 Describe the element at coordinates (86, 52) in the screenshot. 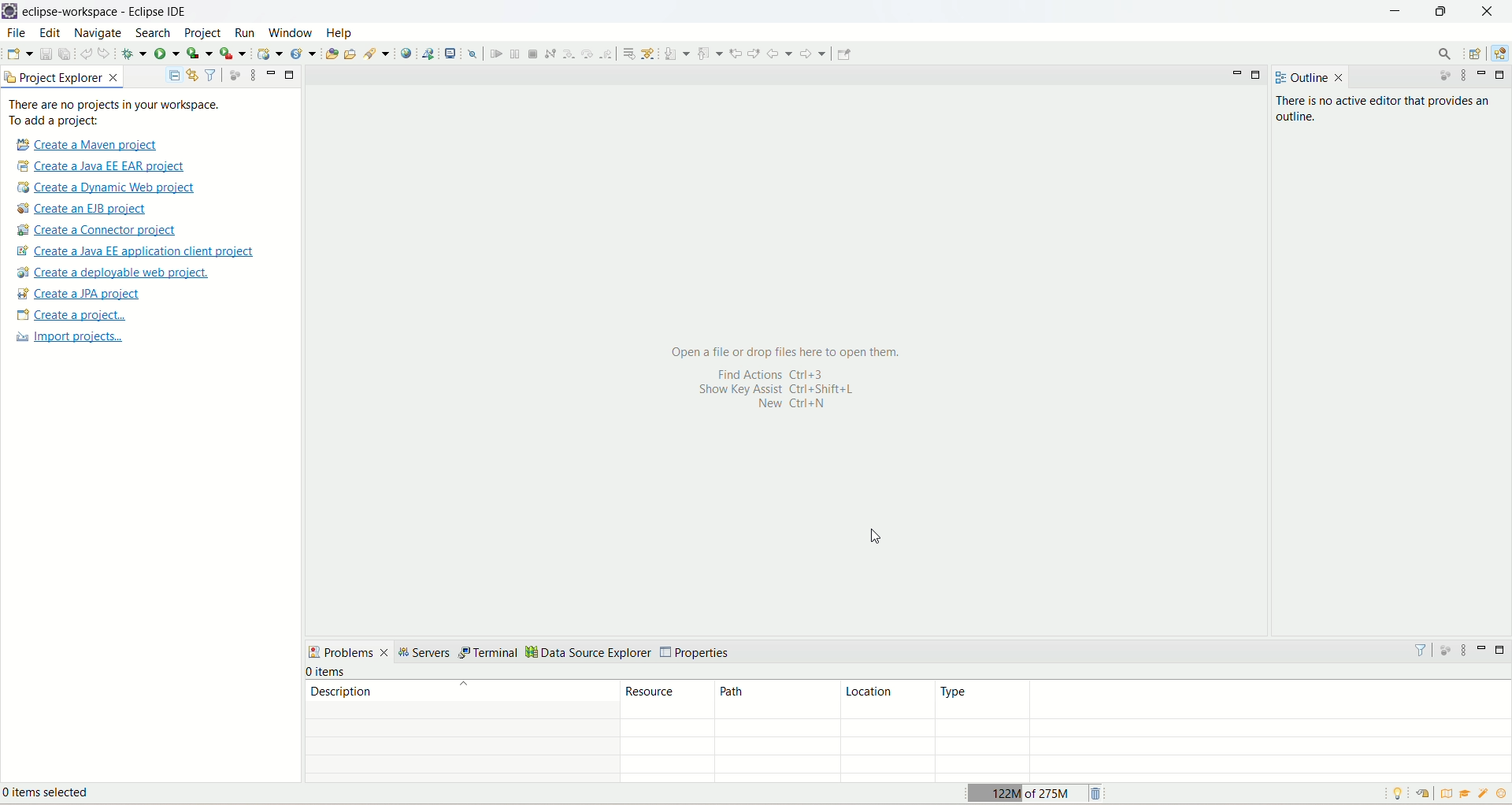

I see `undo` at that location.